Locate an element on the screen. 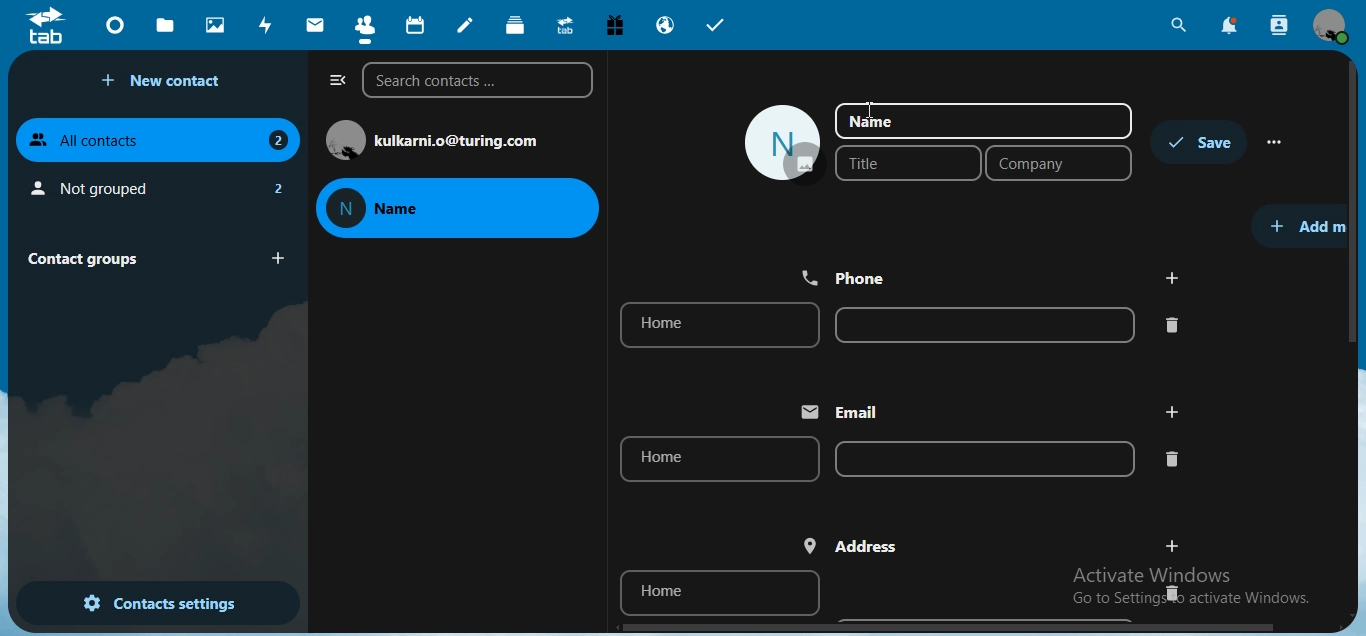 Image resolution: width=1366 pixels, height=636 pixels. upgrade is located at coordinates (563, 24).